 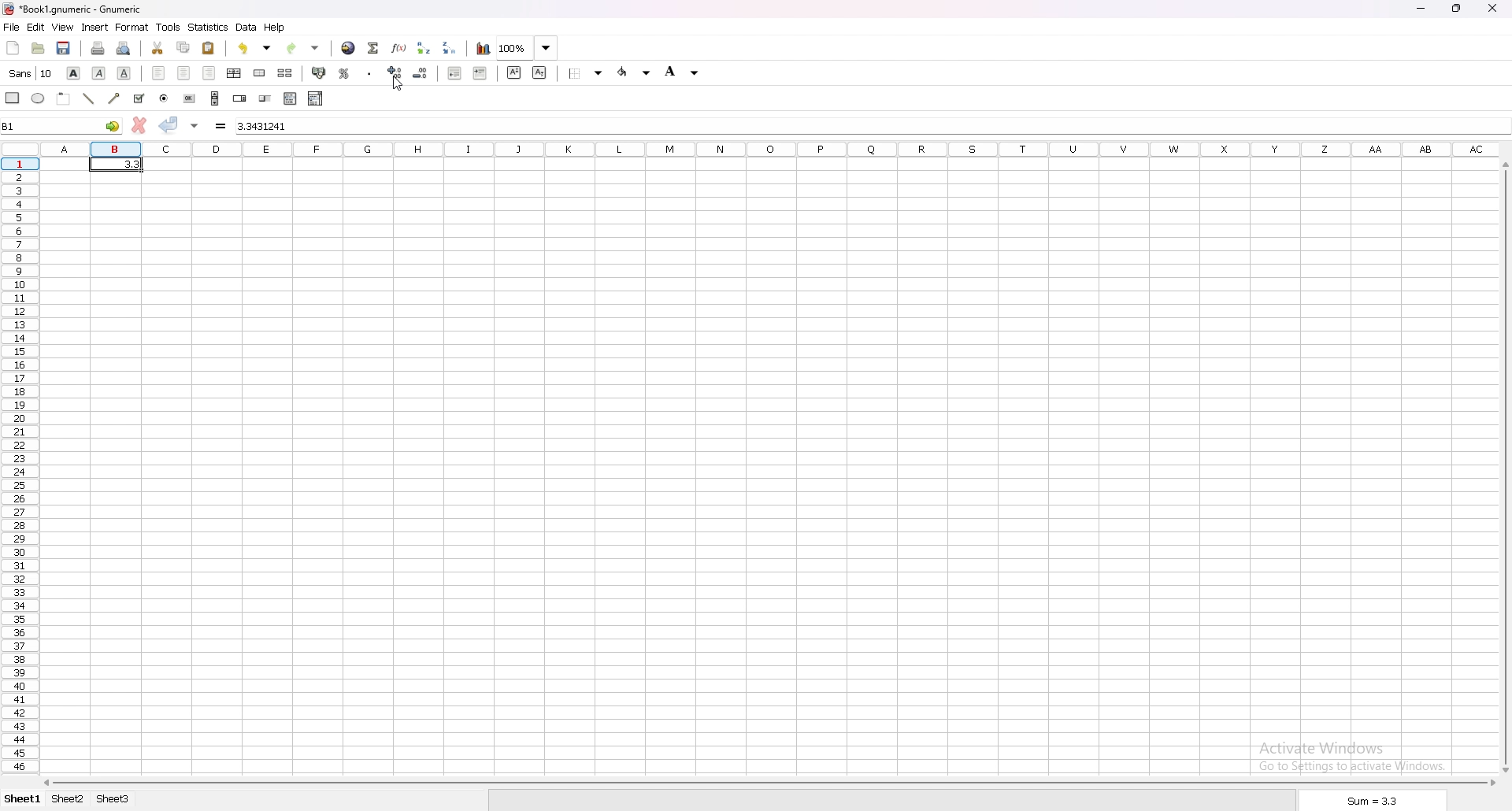 I want to click on tickbox, so click(x=139, y=98).